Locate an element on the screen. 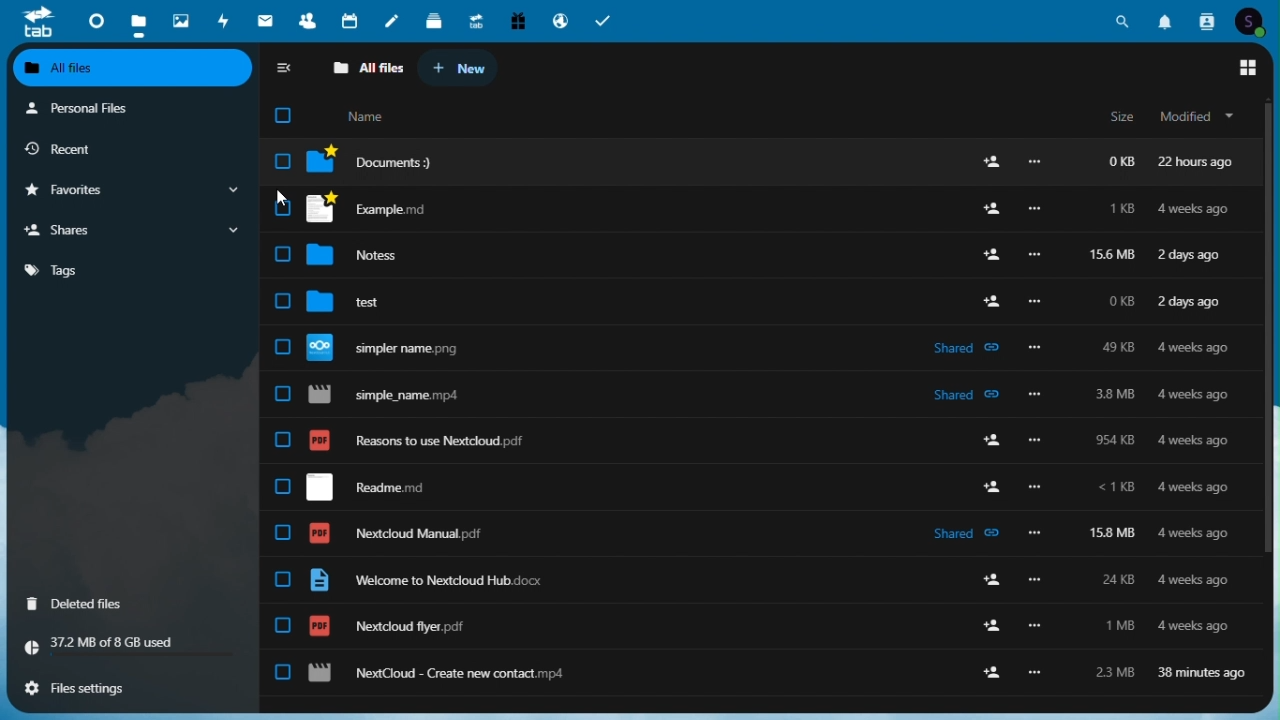 This screenshot has width=1280, height=720. check boc is located at coordinates (282, 671).